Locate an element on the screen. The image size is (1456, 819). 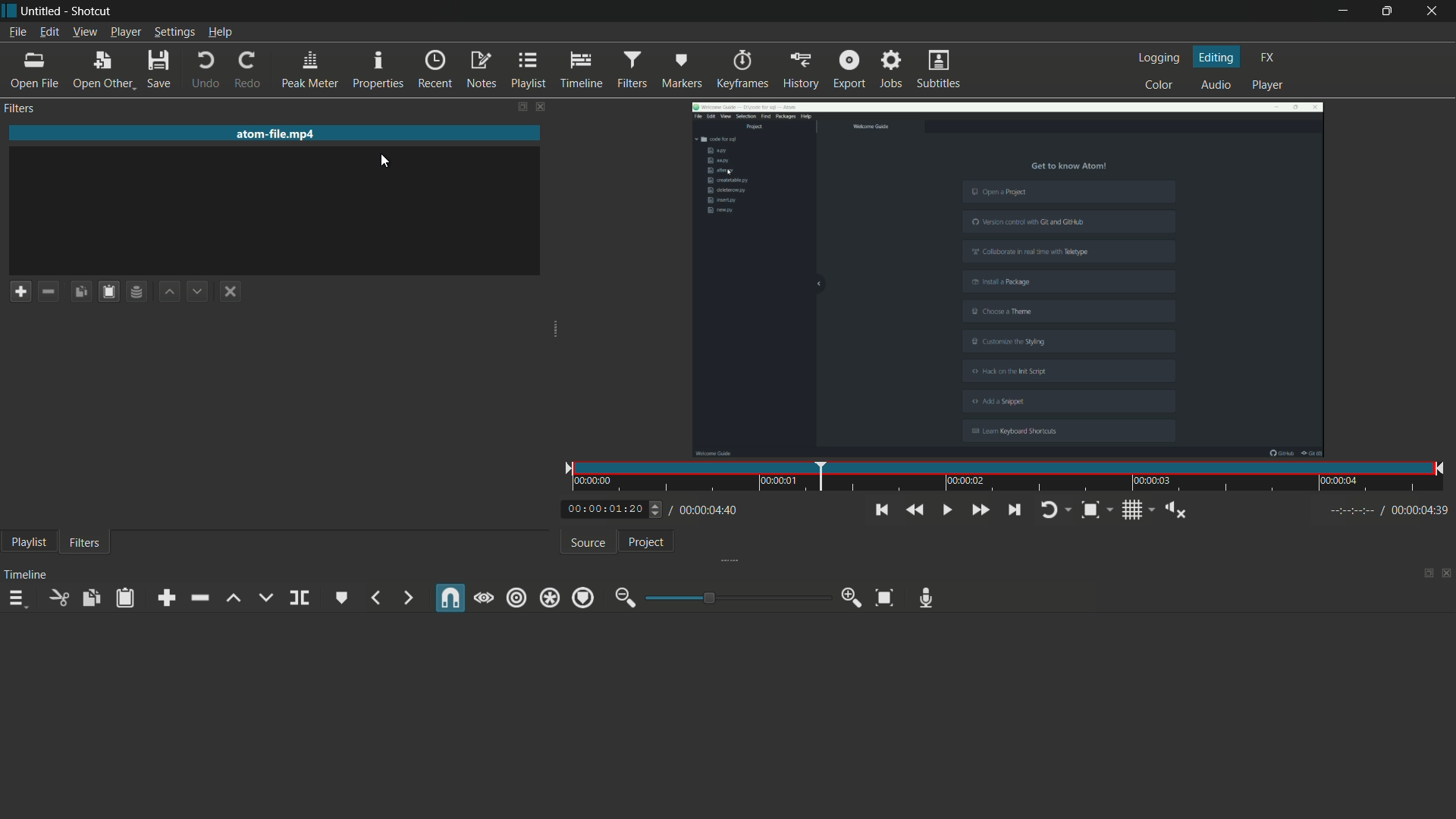
export is located at coordinates (849, 70).